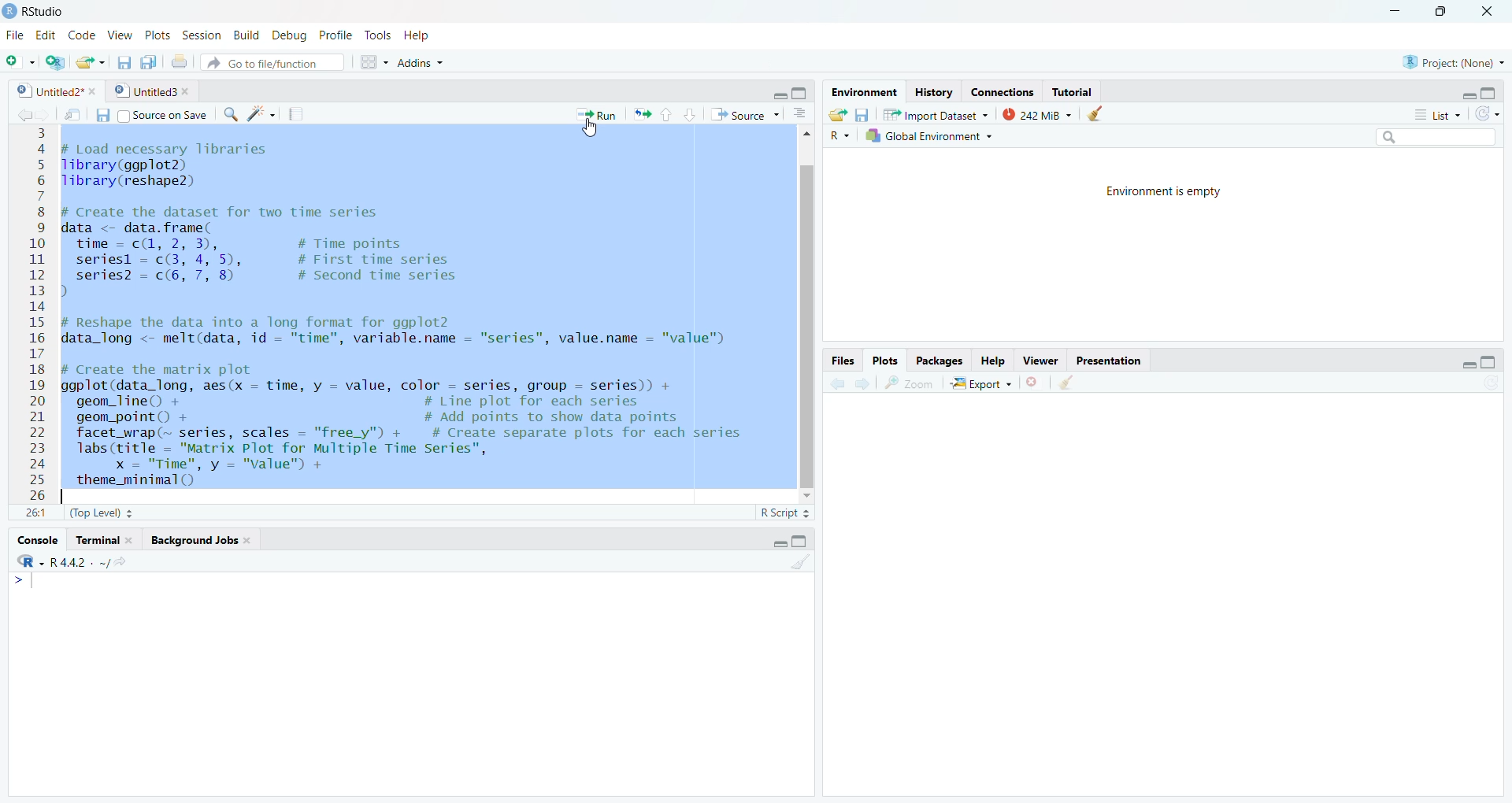  What do you see at coordinates (1487, 113) in the screenshot?
I see `Refresh Theme` at bounding box center [1487, 113].